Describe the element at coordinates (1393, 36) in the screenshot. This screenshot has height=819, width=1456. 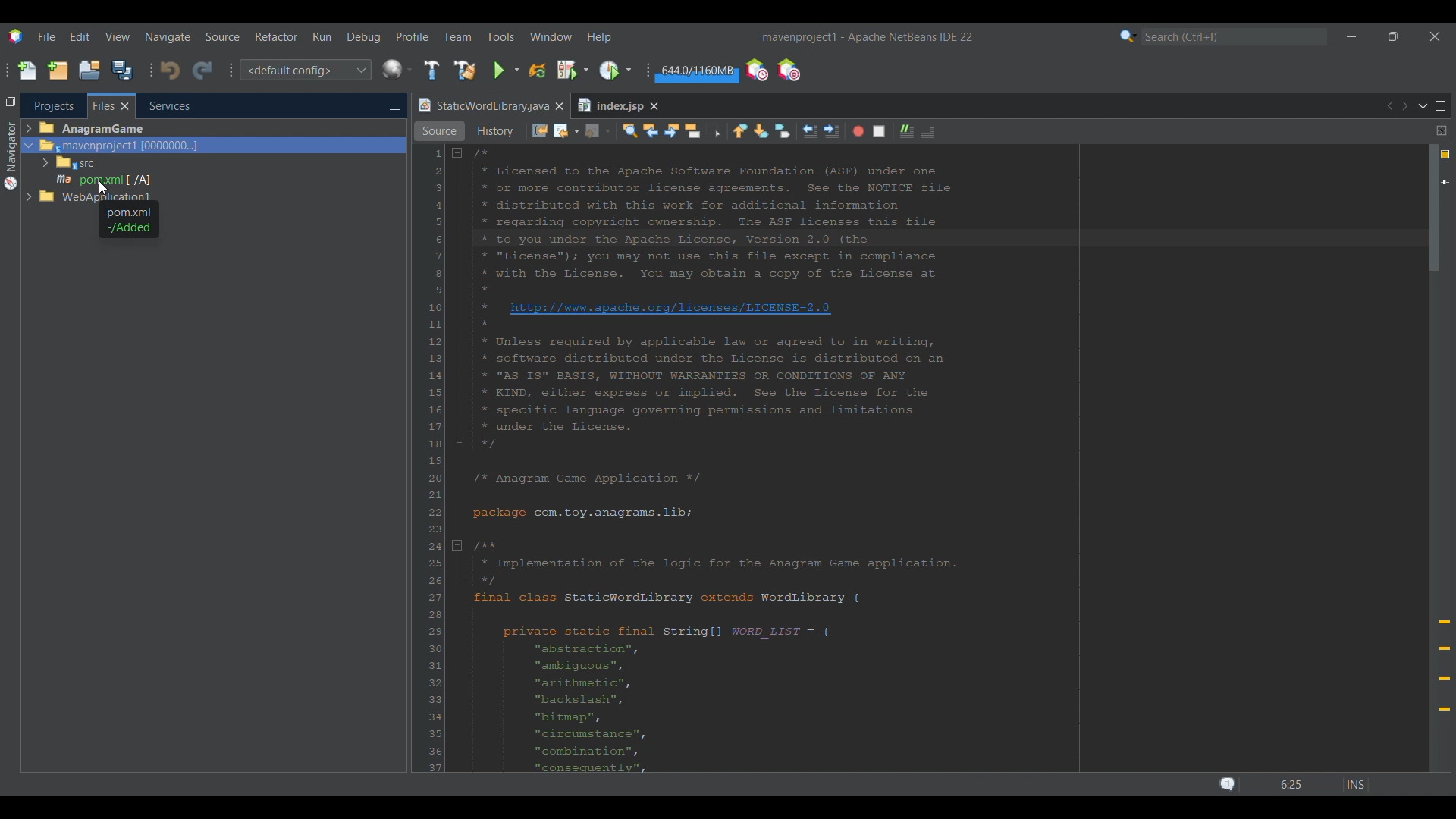
I see `Show in smaller tab` at that location.